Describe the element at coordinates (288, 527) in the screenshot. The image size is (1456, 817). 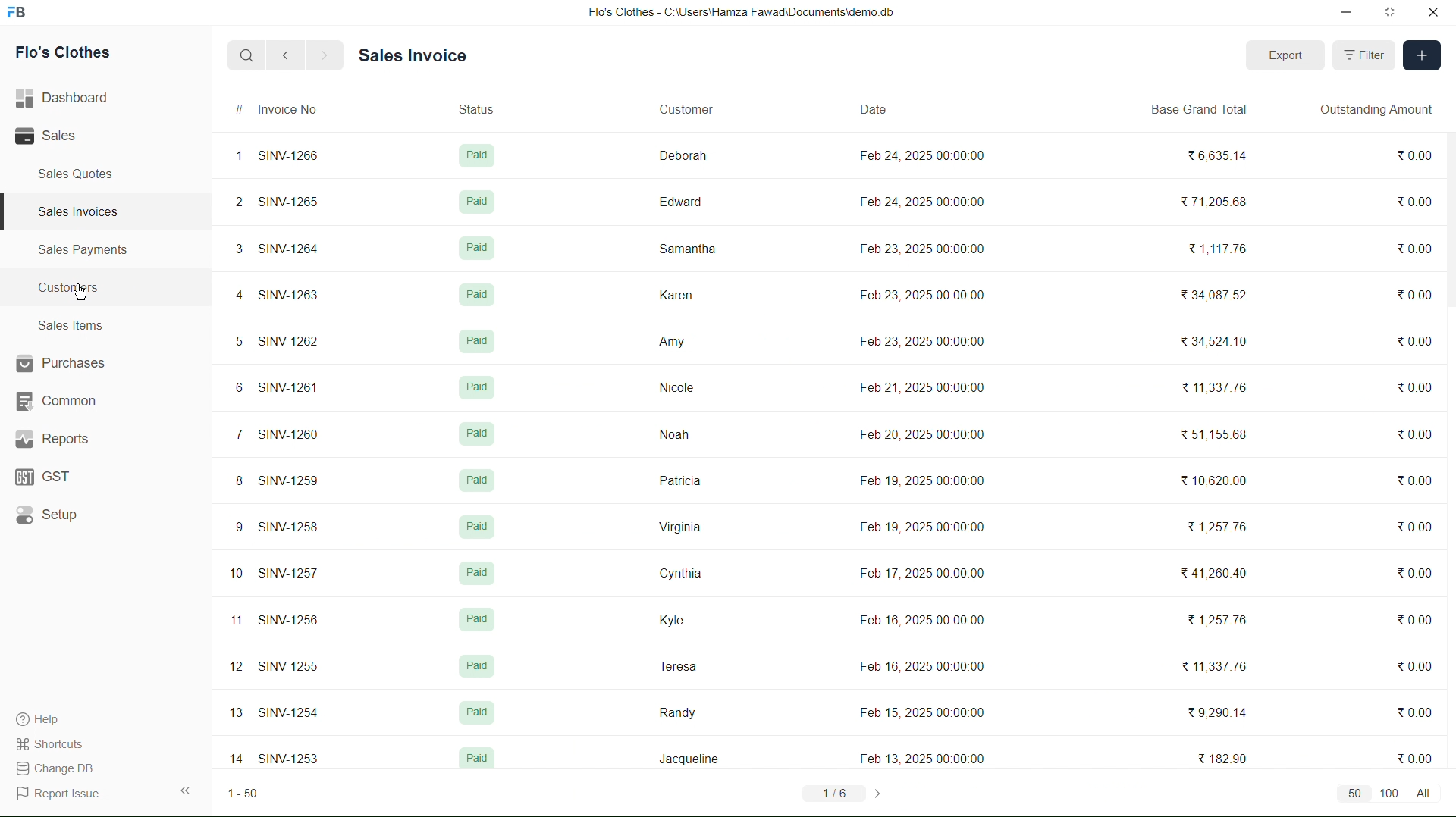
I see `SINV-1258` at that location.